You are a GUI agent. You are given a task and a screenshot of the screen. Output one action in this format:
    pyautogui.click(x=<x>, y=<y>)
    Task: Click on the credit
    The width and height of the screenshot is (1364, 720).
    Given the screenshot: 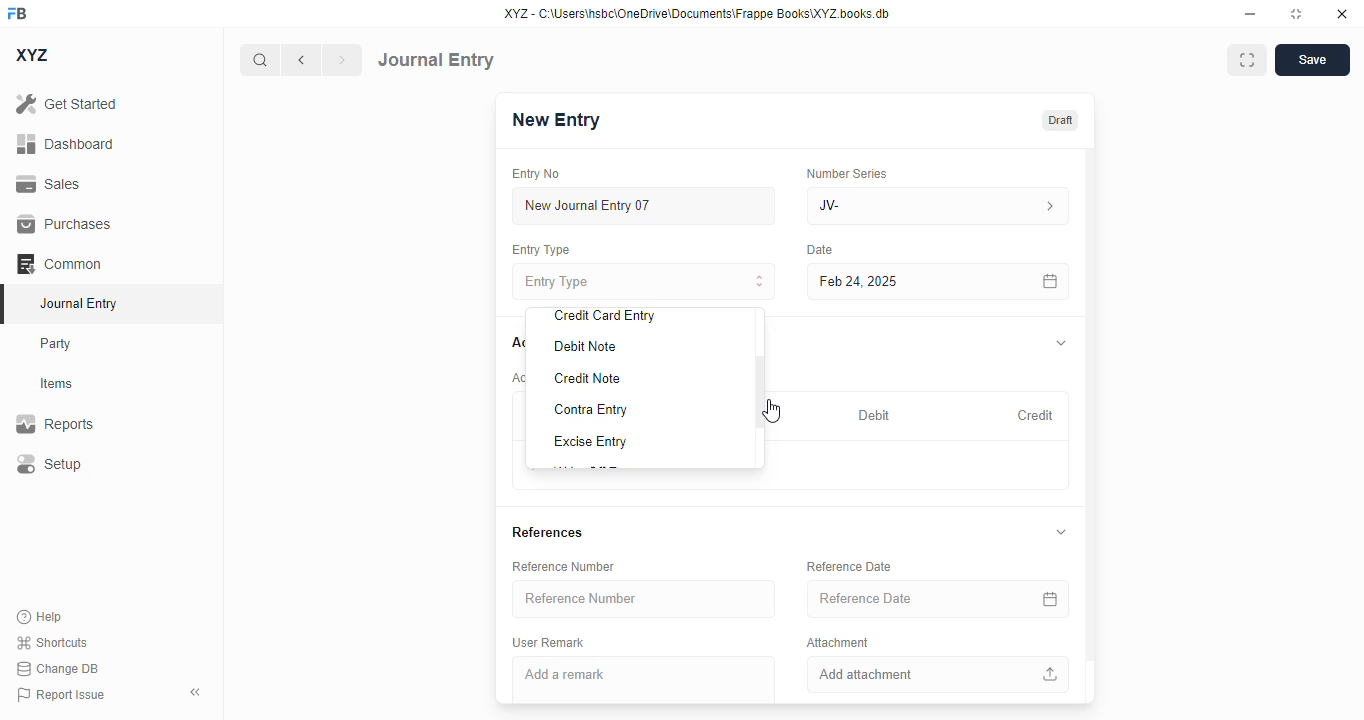 What is the action you would take?
    pyautogui.click(x=1037, y=415)
    